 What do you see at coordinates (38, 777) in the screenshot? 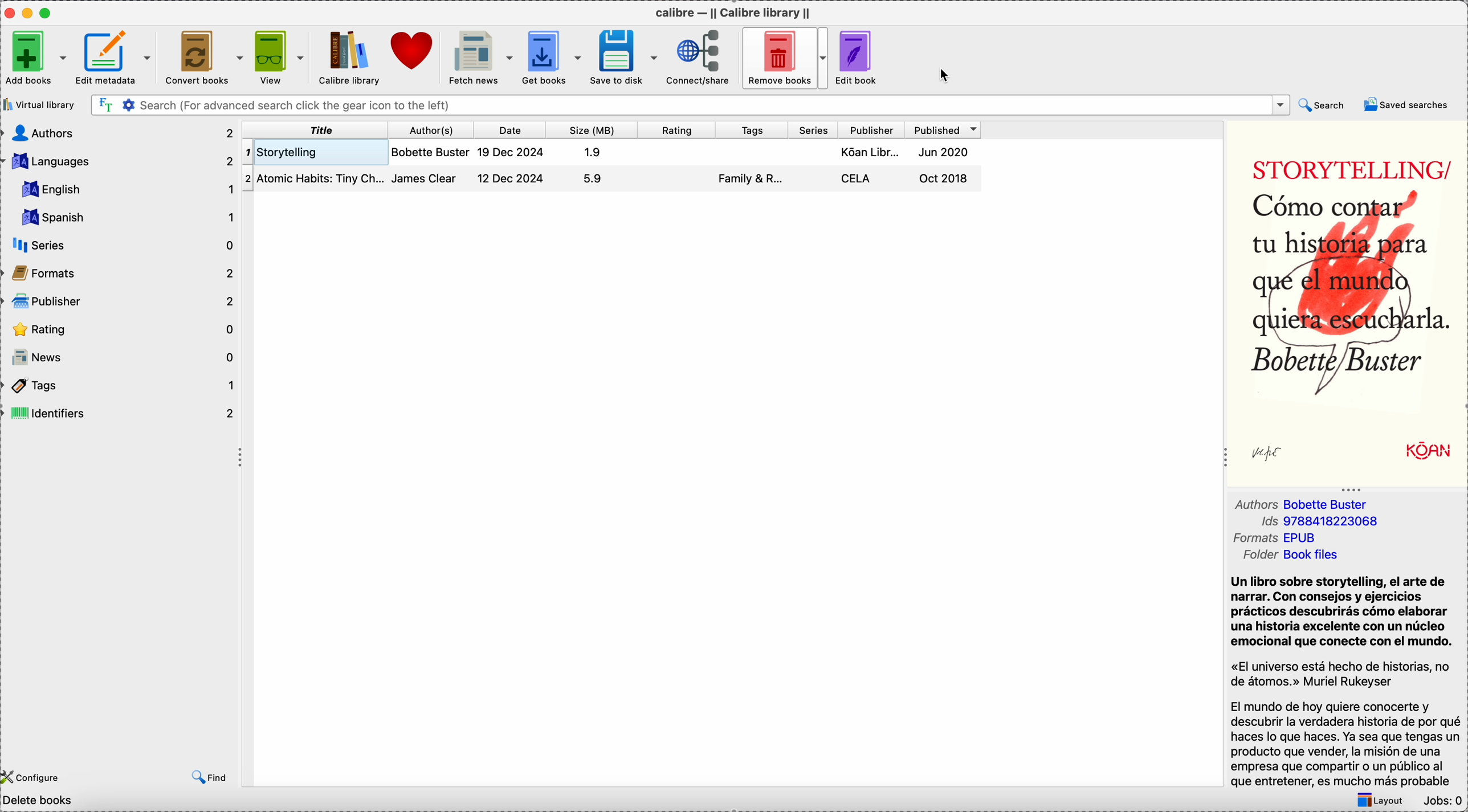
I see `configure` at bounding box center [38, 777].